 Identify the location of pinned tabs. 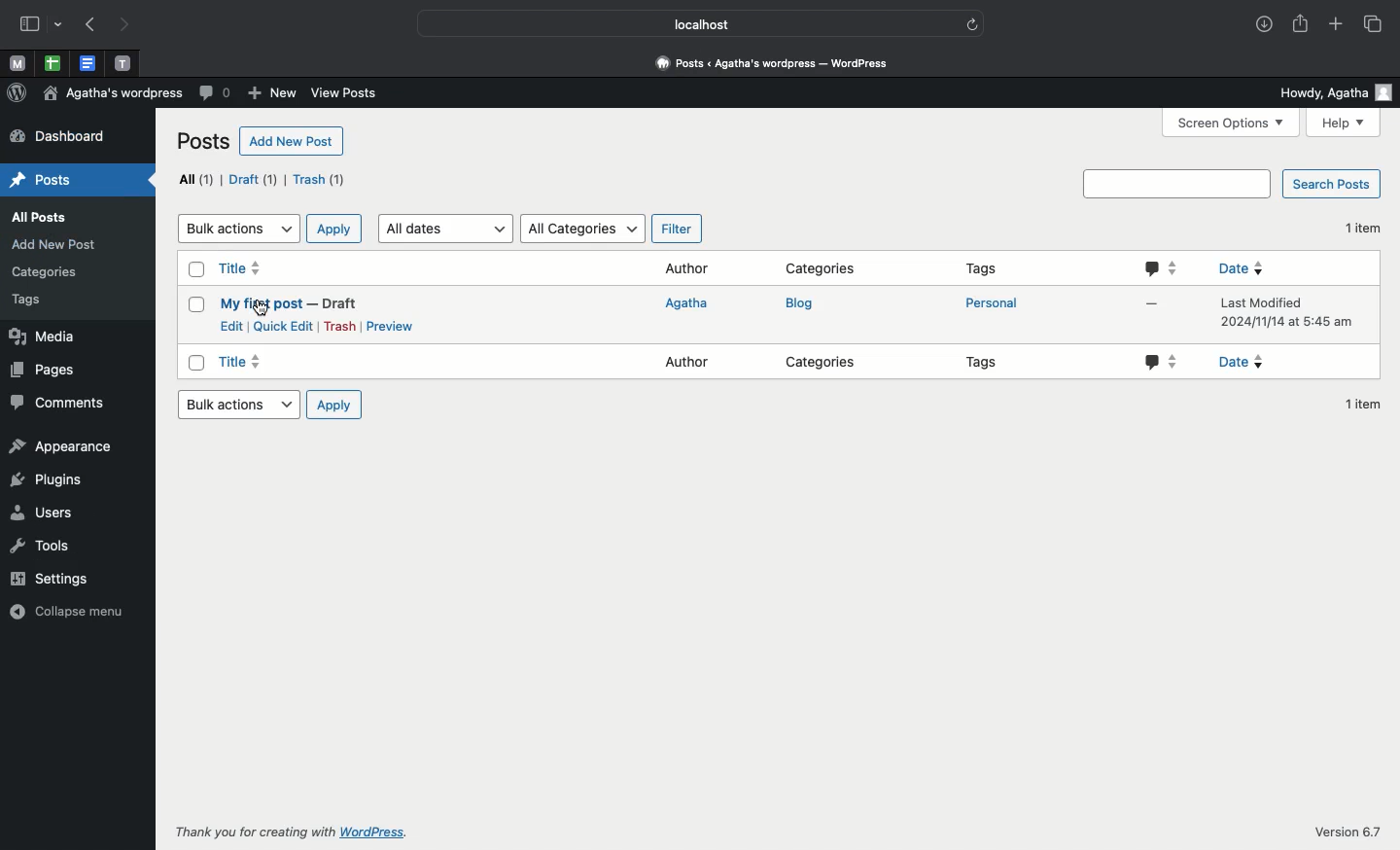
(87, 64).